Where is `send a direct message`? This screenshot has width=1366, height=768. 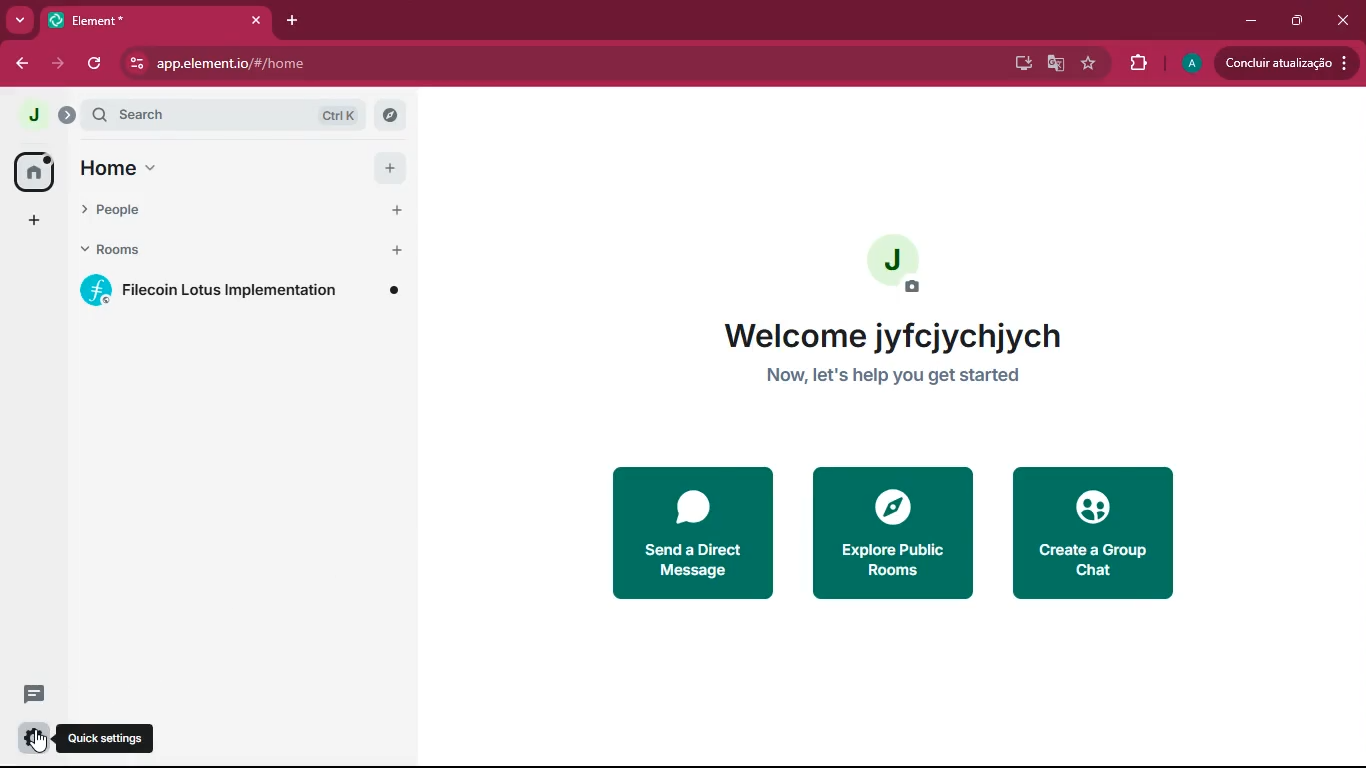 send a direct message is located at coordinates (689, 530).